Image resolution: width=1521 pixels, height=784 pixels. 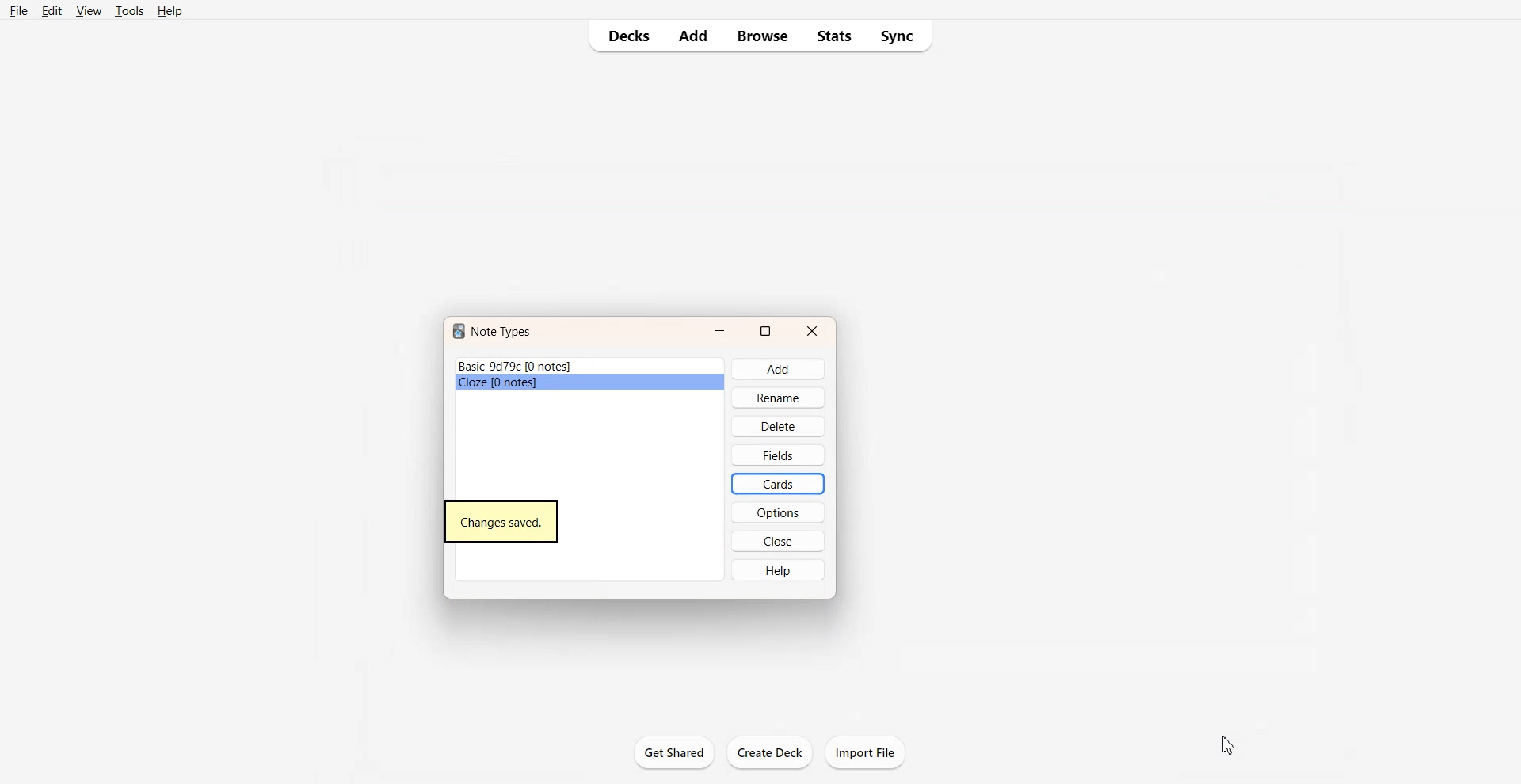 What do you see at coordinates (783, 455) in the screenshot?
I see `fields` at bounding box center [783, 455].